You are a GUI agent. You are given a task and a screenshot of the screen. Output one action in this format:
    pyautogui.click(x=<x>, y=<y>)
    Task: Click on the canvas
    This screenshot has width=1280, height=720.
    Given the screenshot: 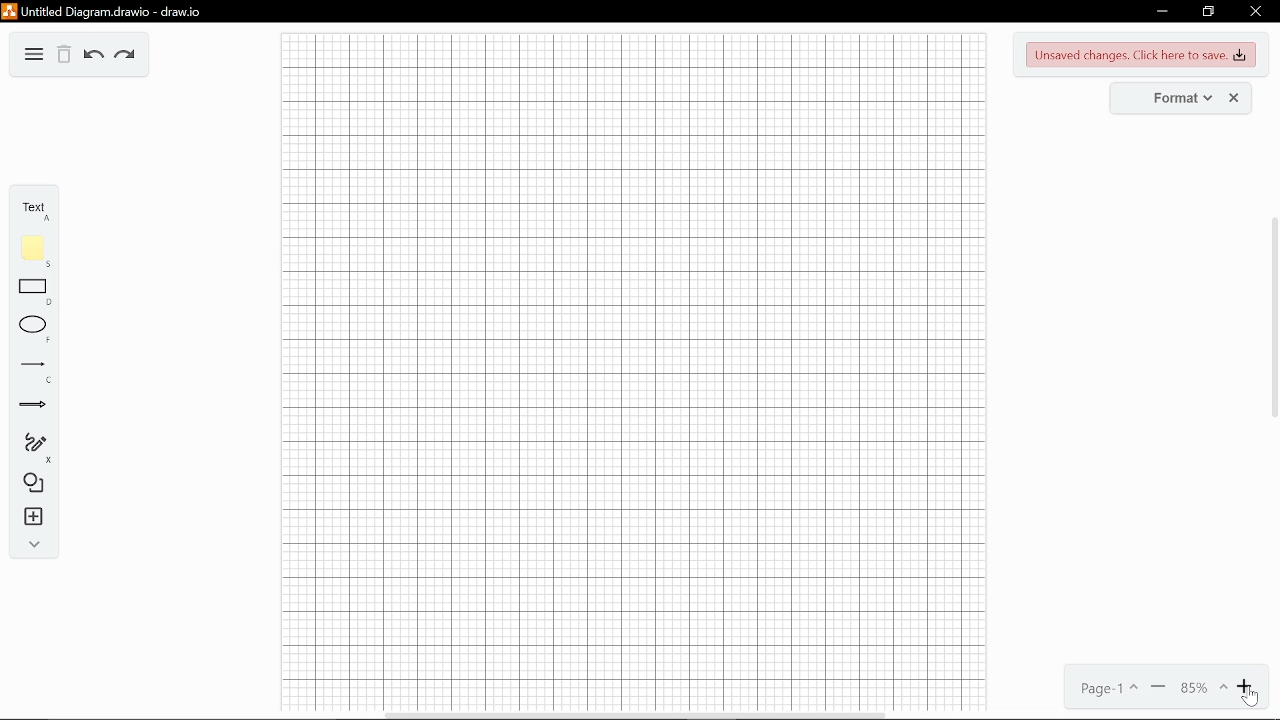 What is the action you would take?
    pyautogui.click(x=633, y=371)
    